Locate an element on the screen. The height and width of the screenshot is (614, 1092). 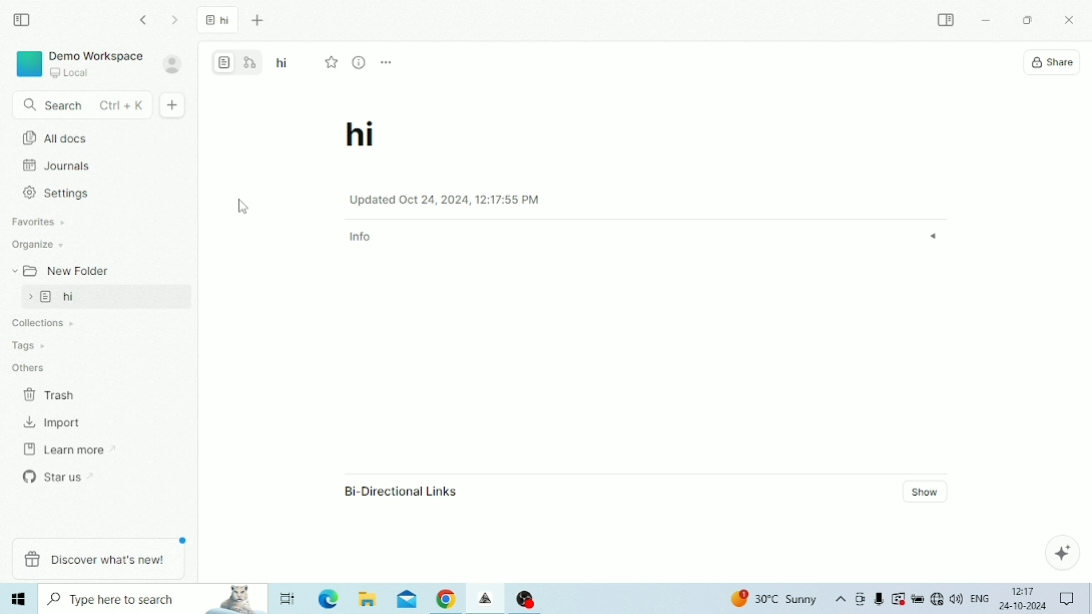
Notifications is located at coordinates (1067, 598).